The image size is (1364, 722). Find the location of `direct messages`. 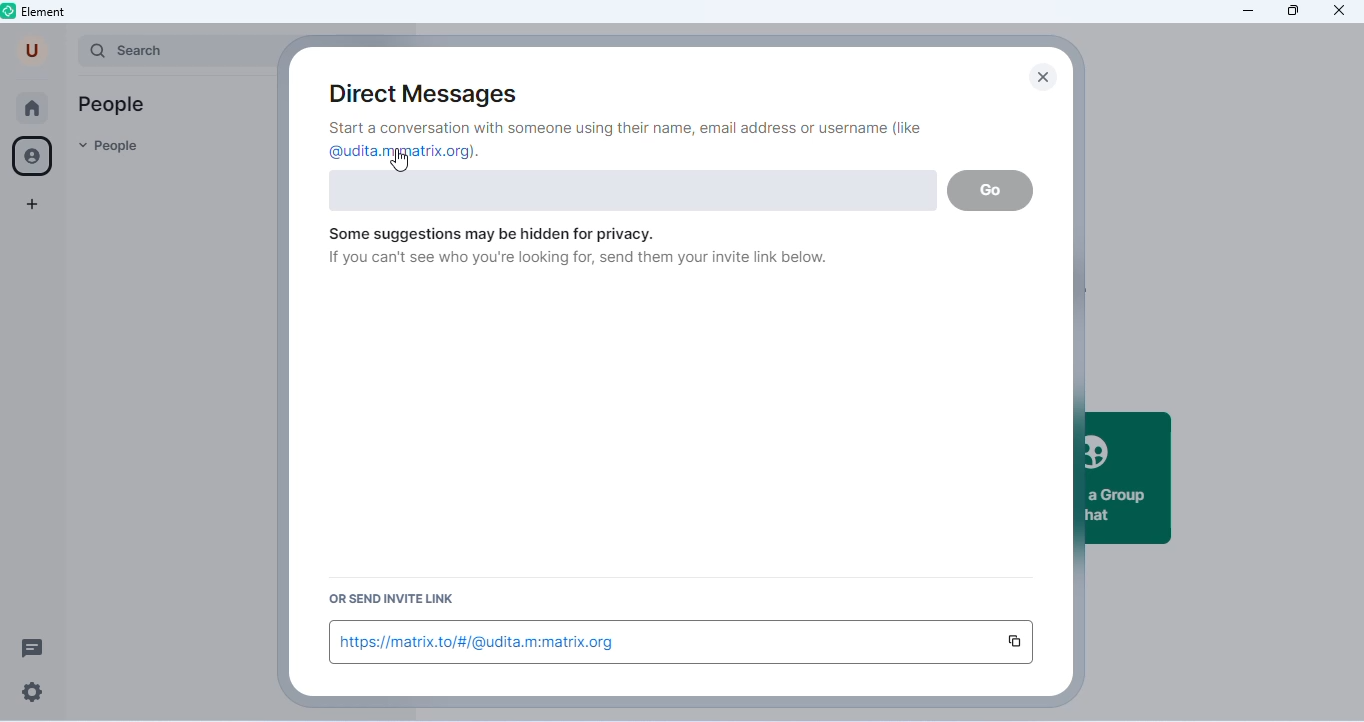

direct messages is located at coordinates (431, 94).